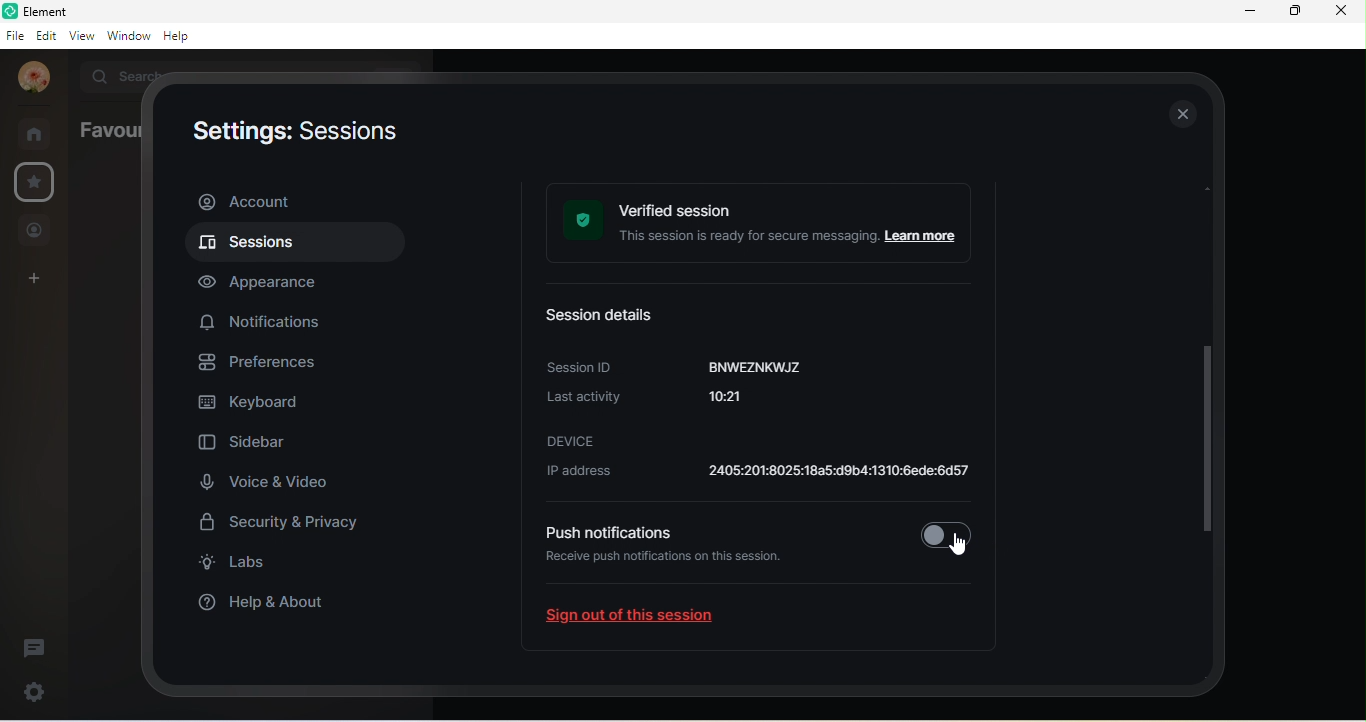 This screenshot has width=1366, height=722. I want to click on voice and video, so click(265, 481).